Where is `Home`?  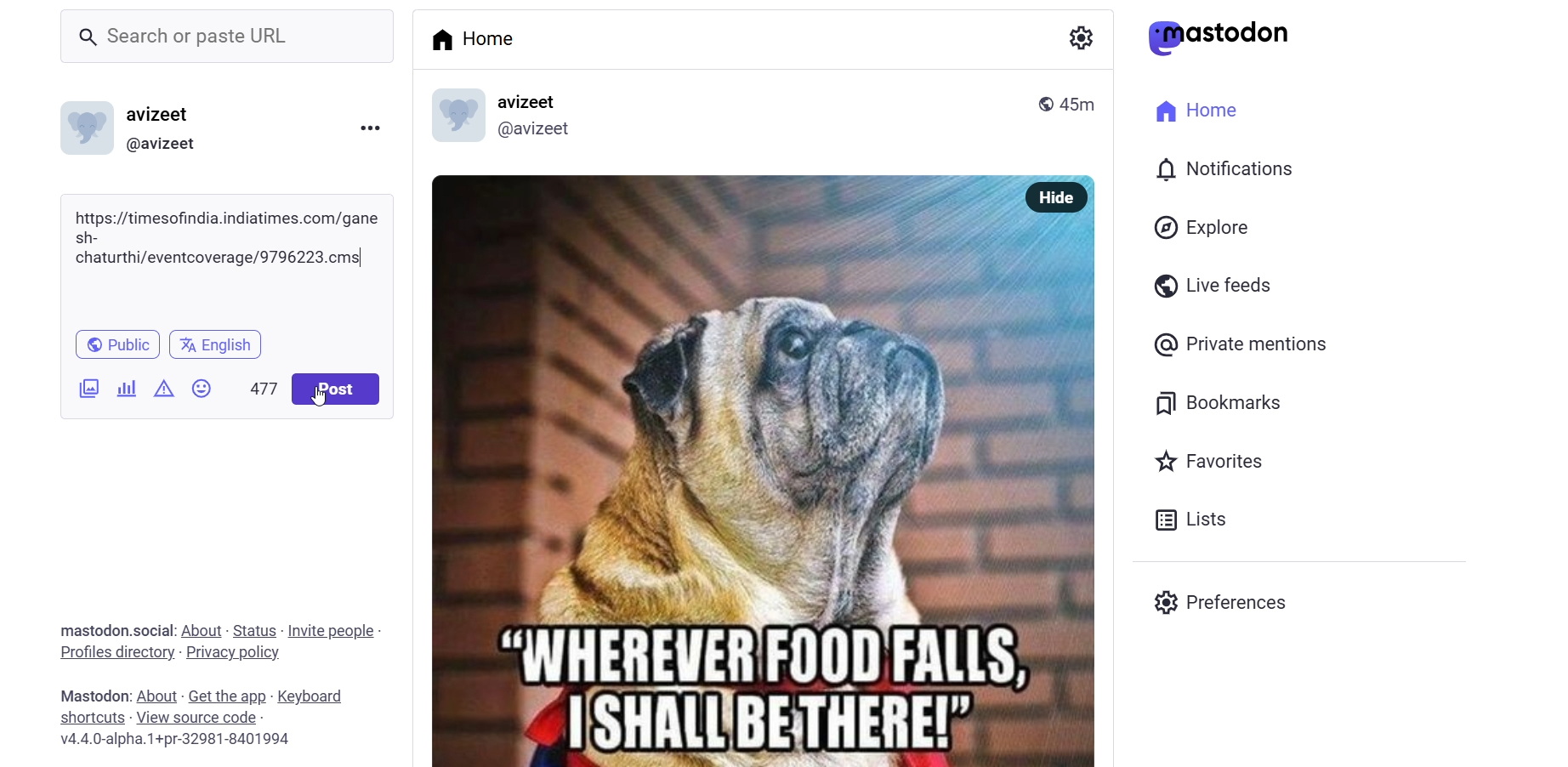 Home is located at coordinates (477, 41).